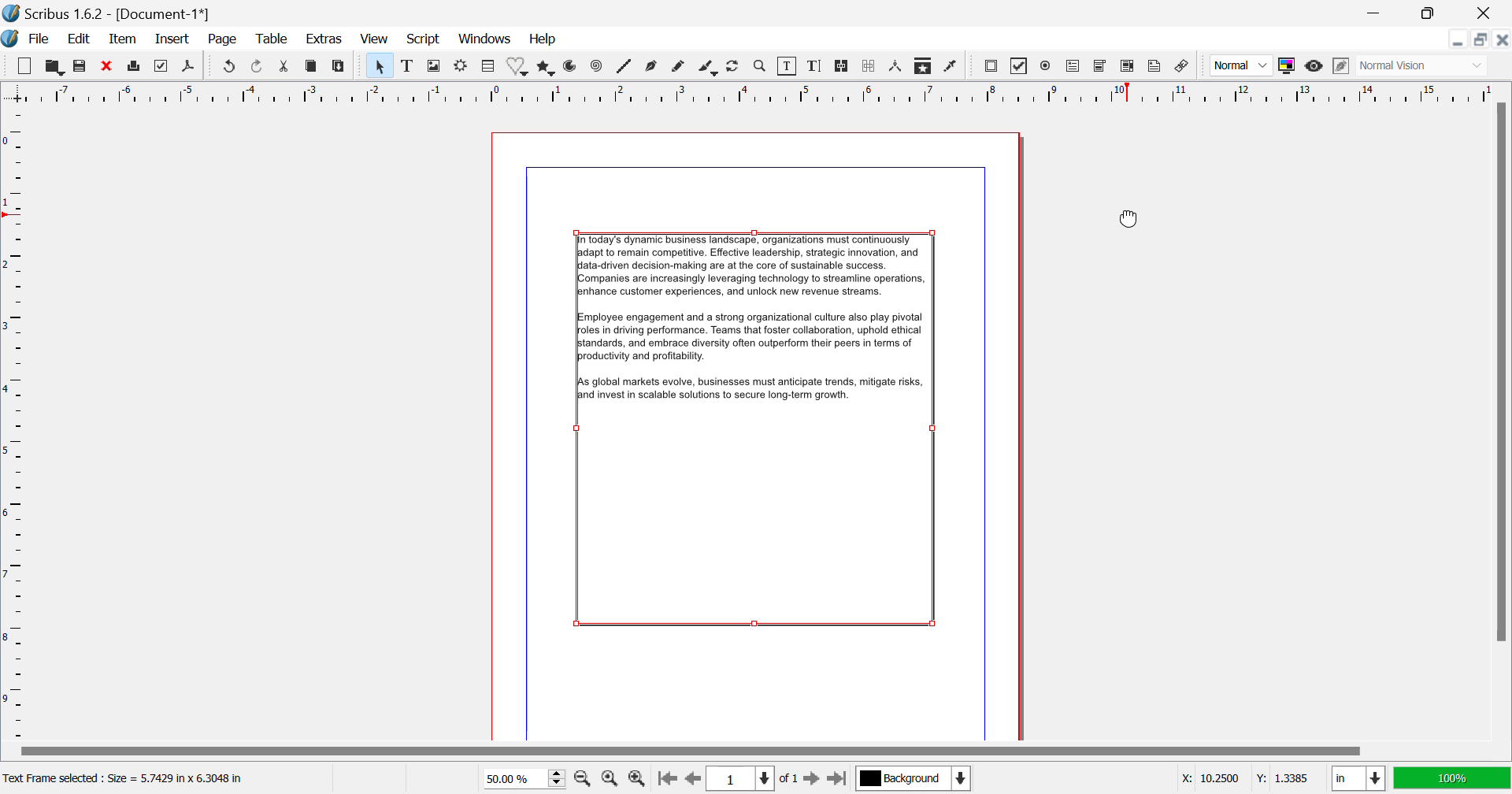 This screenshot has height=794, width=1512. I want to click on Edit in preview mode, so click(1339, 66).